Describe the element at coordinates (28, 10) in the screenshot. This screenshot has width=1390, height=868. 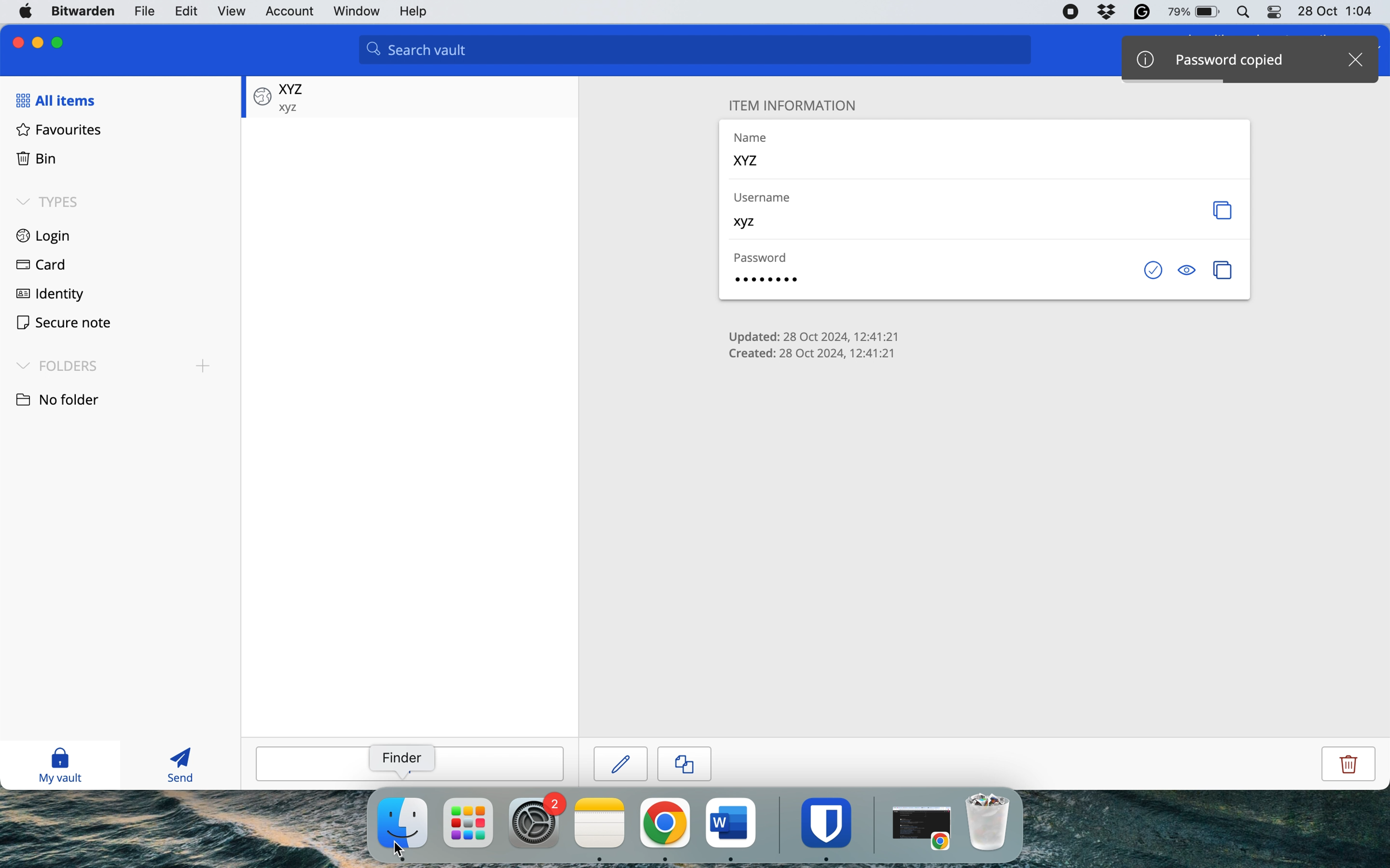
I see `system logo` at that location.